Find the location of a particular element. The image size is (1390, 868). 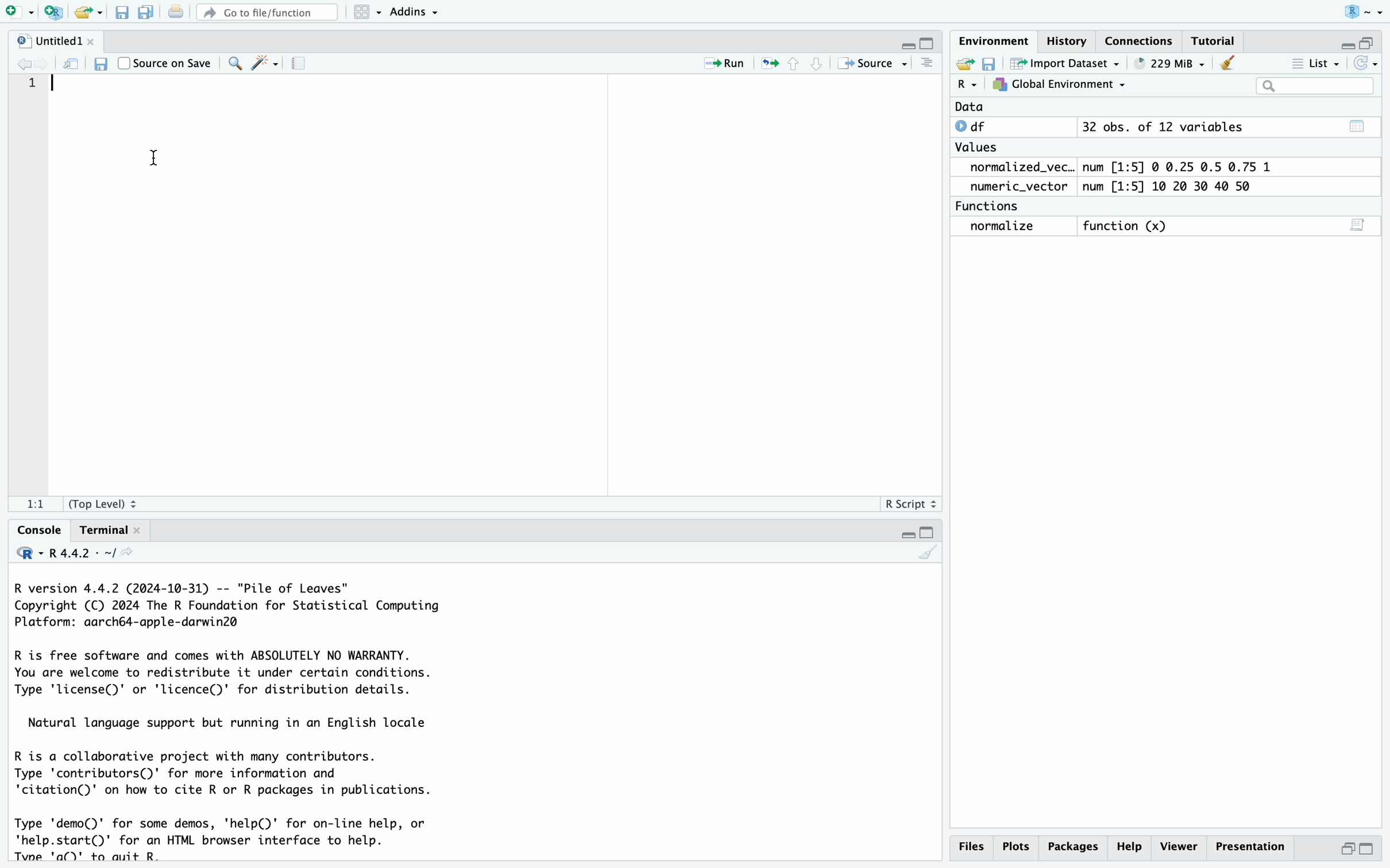

Presentation is located at coordinates (1252, 847).